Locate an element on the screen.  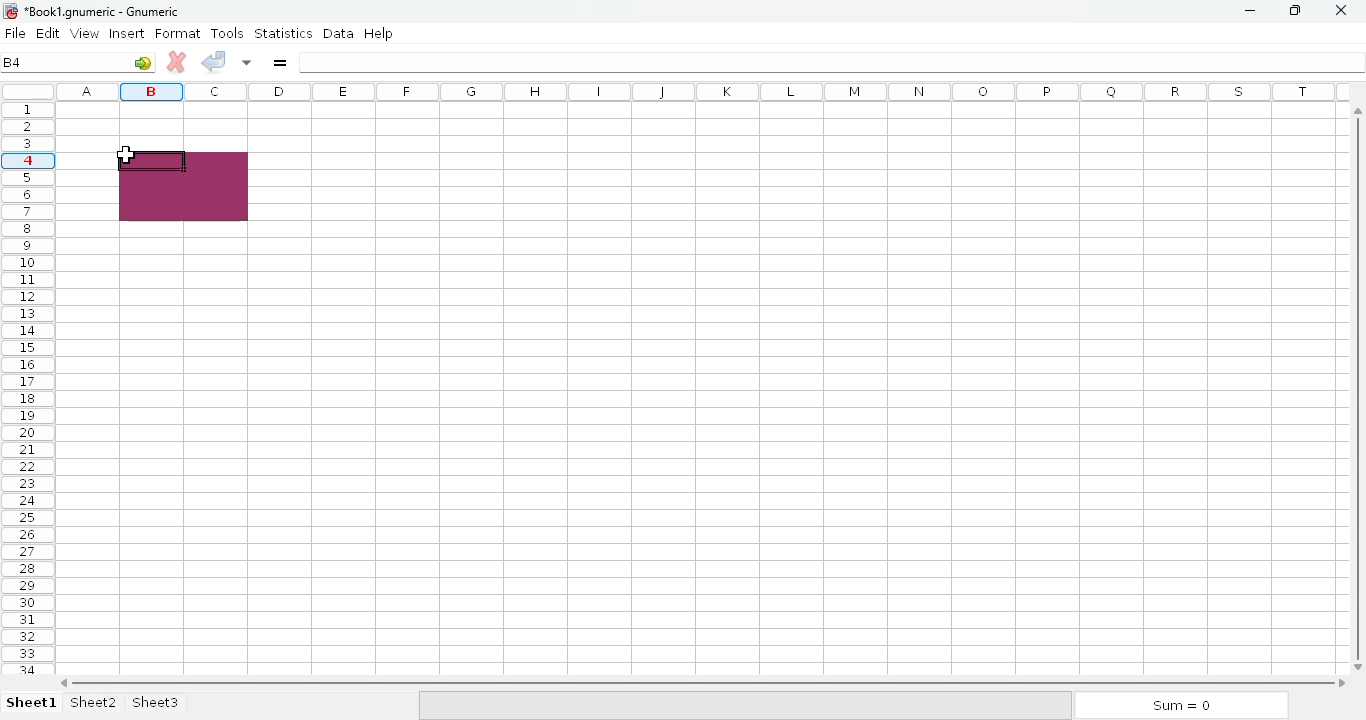
vertical scroll bar is located at coordinates (1354, 386).